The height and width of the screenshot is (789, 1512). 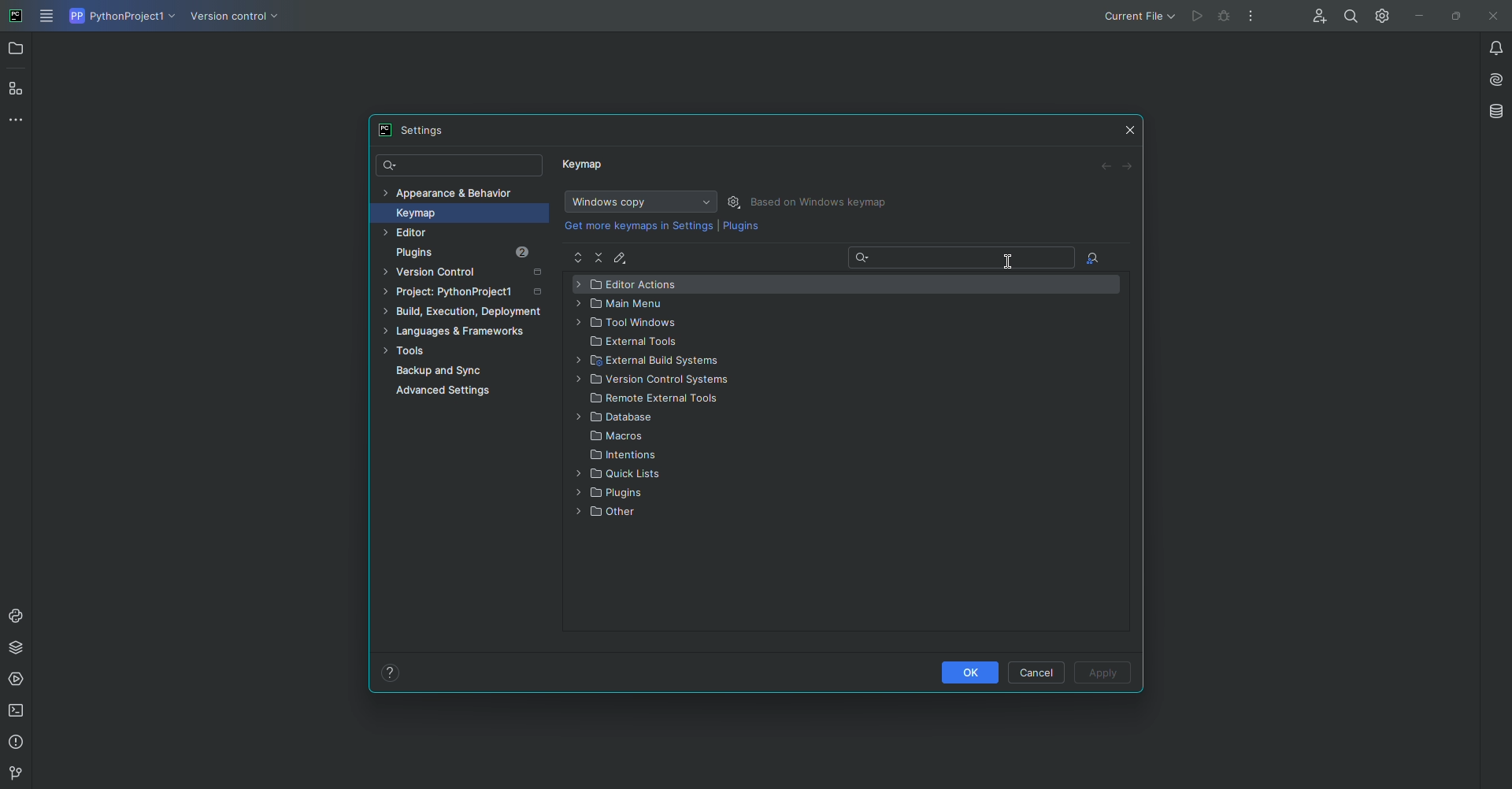 I want to click on Windows Copy, so click(x=638, y=202).